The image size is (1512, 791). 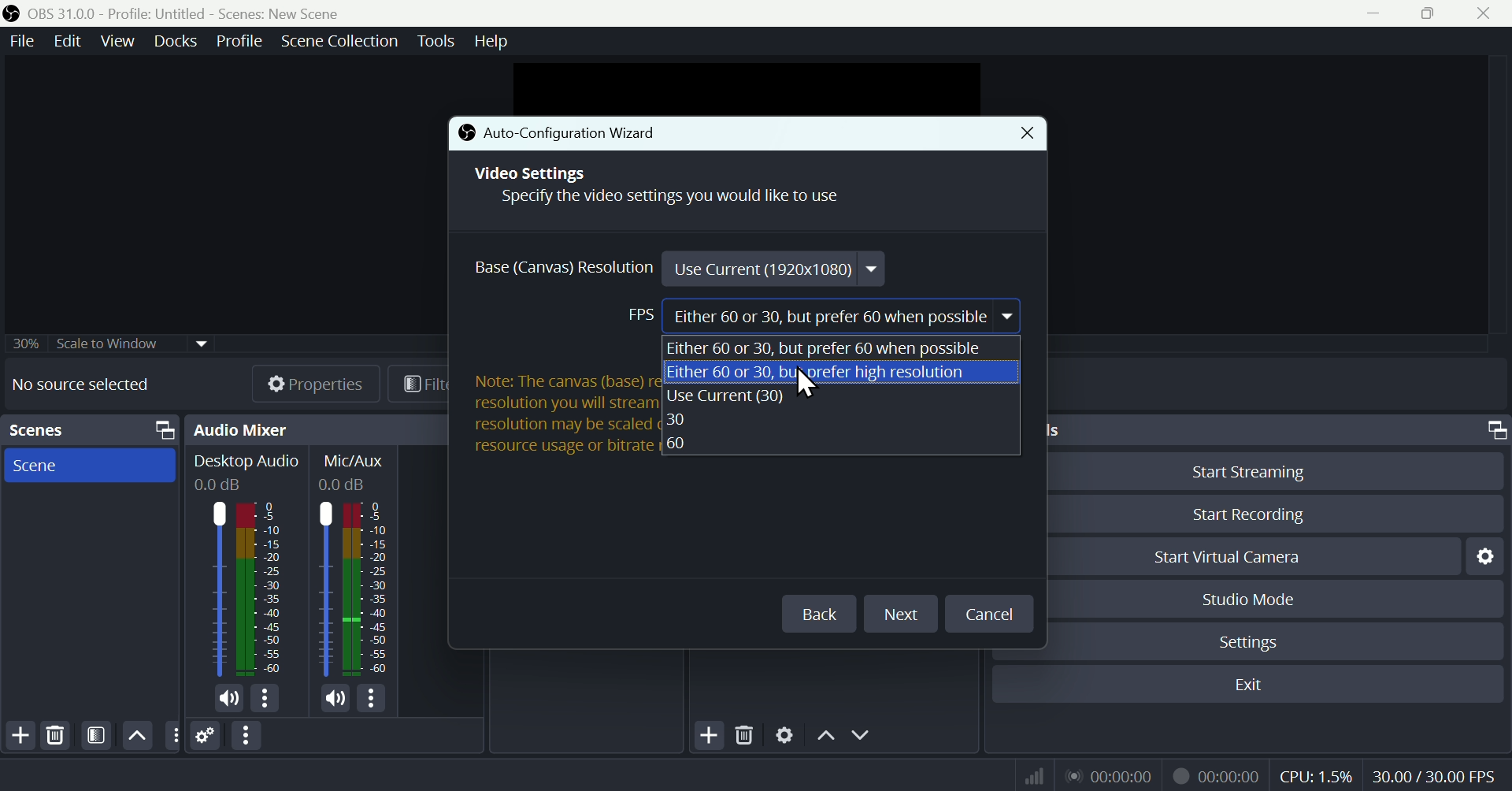 What do you see at coordinates (1487, 13) in the screenshot?
I see `close` at bounding box center [1487, 13].